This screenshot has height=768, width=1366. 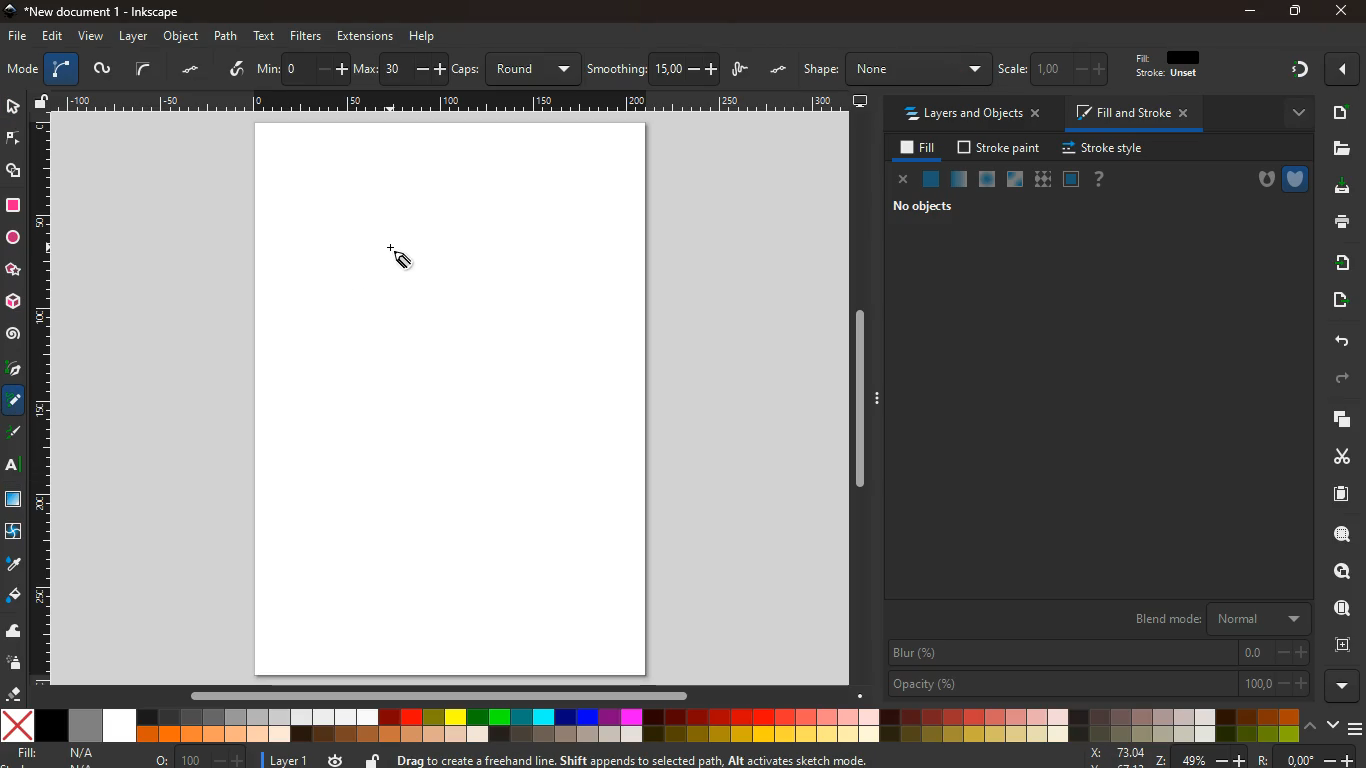 What do you see at coordinates (13, 271) in the screenshot?
I see `star` at bounding box center [13, 271].